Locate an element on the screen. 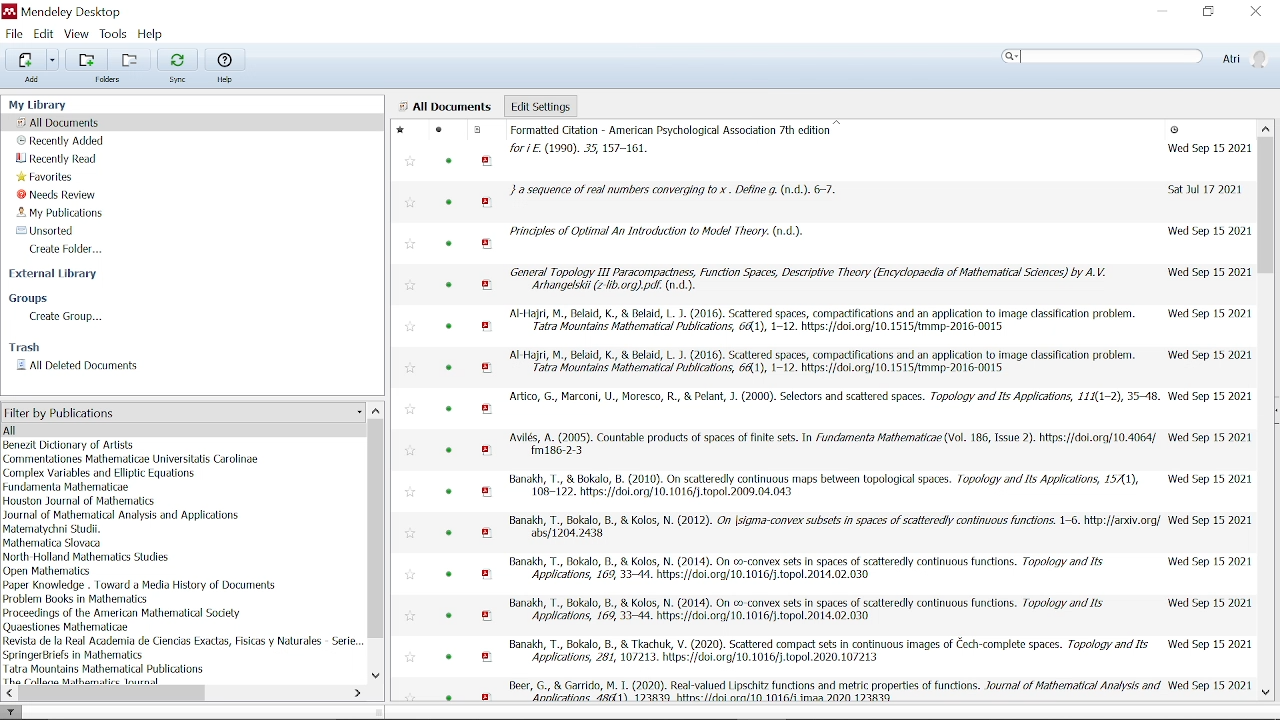 The image size is (1280, 720). Vertical scrollbar for files is located at coordinates (1266, 205).